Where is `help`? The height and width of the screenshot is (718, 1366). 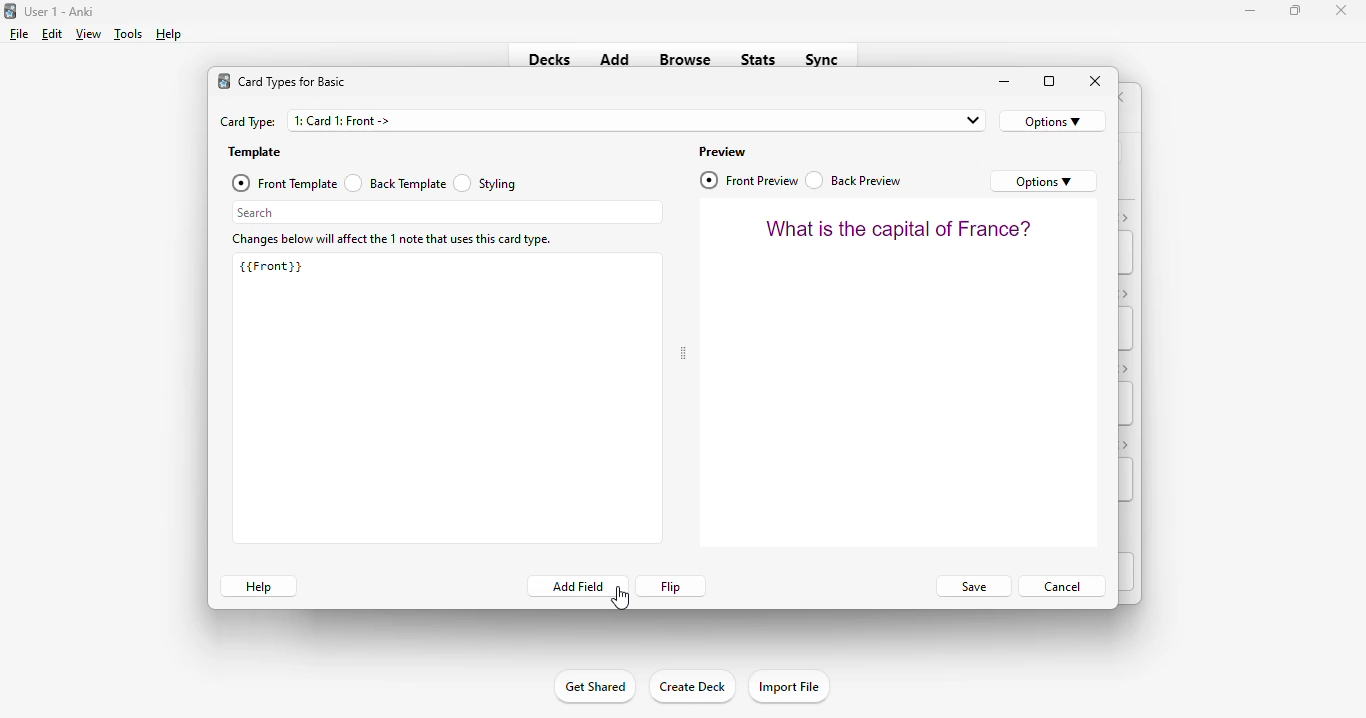
help is located at coordinates (258, 586).